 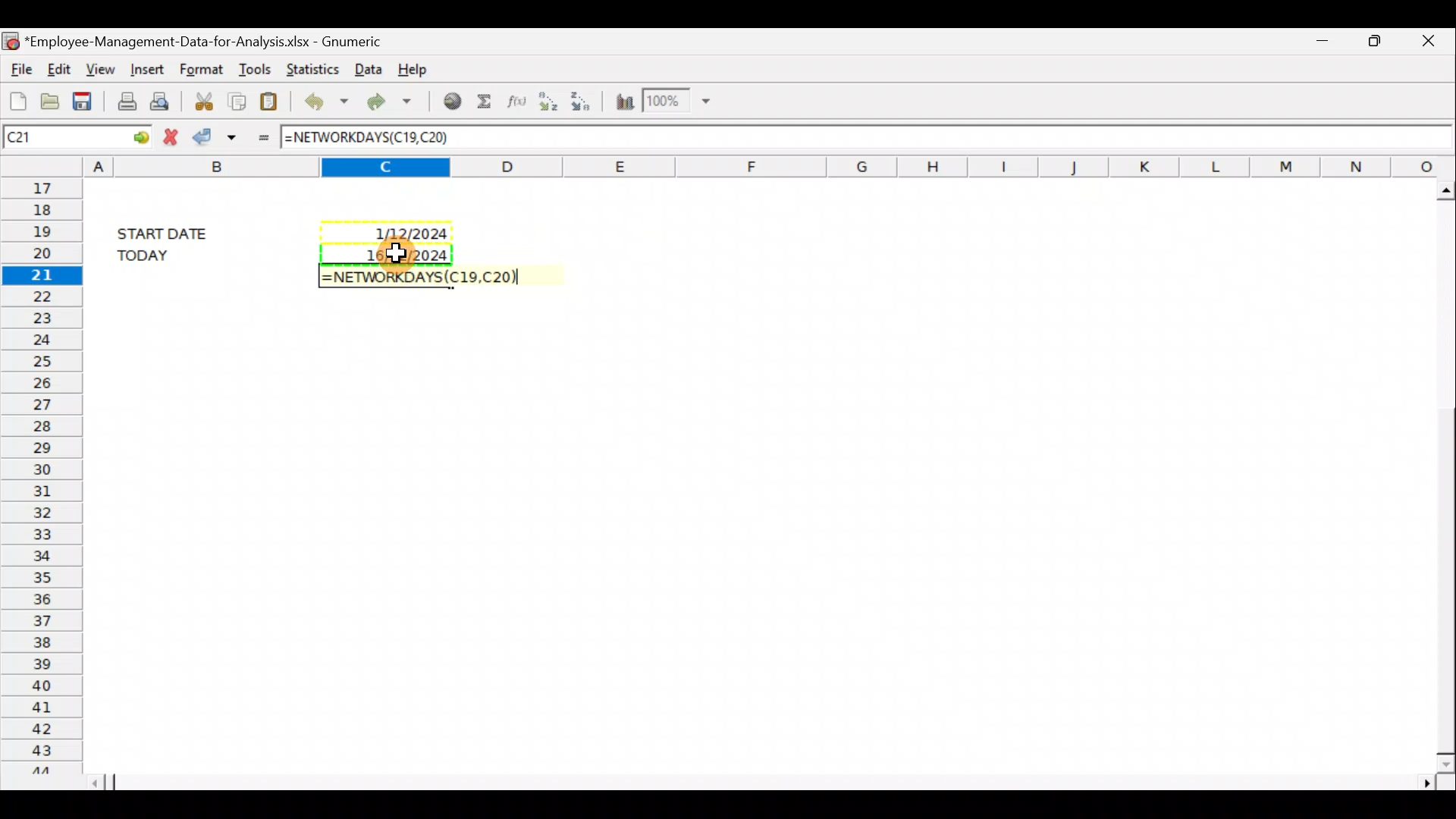 I want to click on GO TO, so click(x=127, y=136).